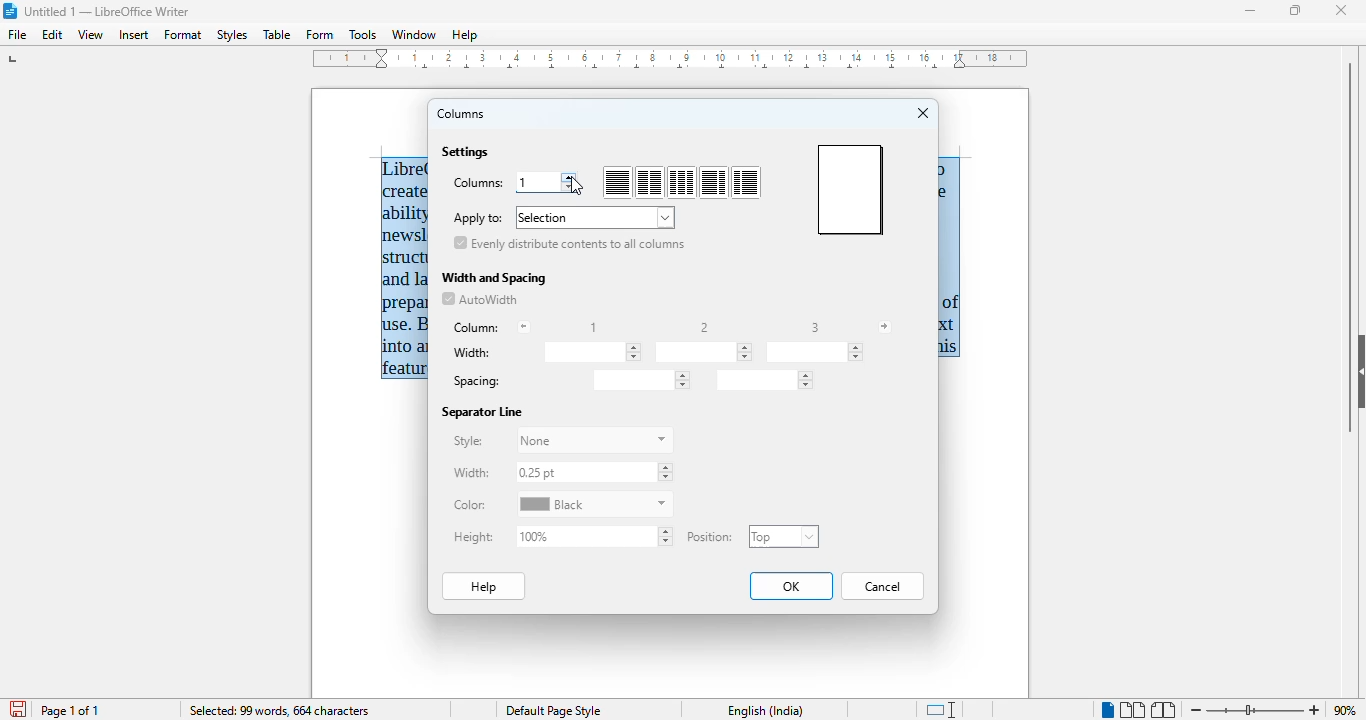 Image resolution: width=1366 pixels, height=720 pixels. What do you see at coordinates (815, 327) in the screenshot?
I see `3` at bounding box center [815, 327].